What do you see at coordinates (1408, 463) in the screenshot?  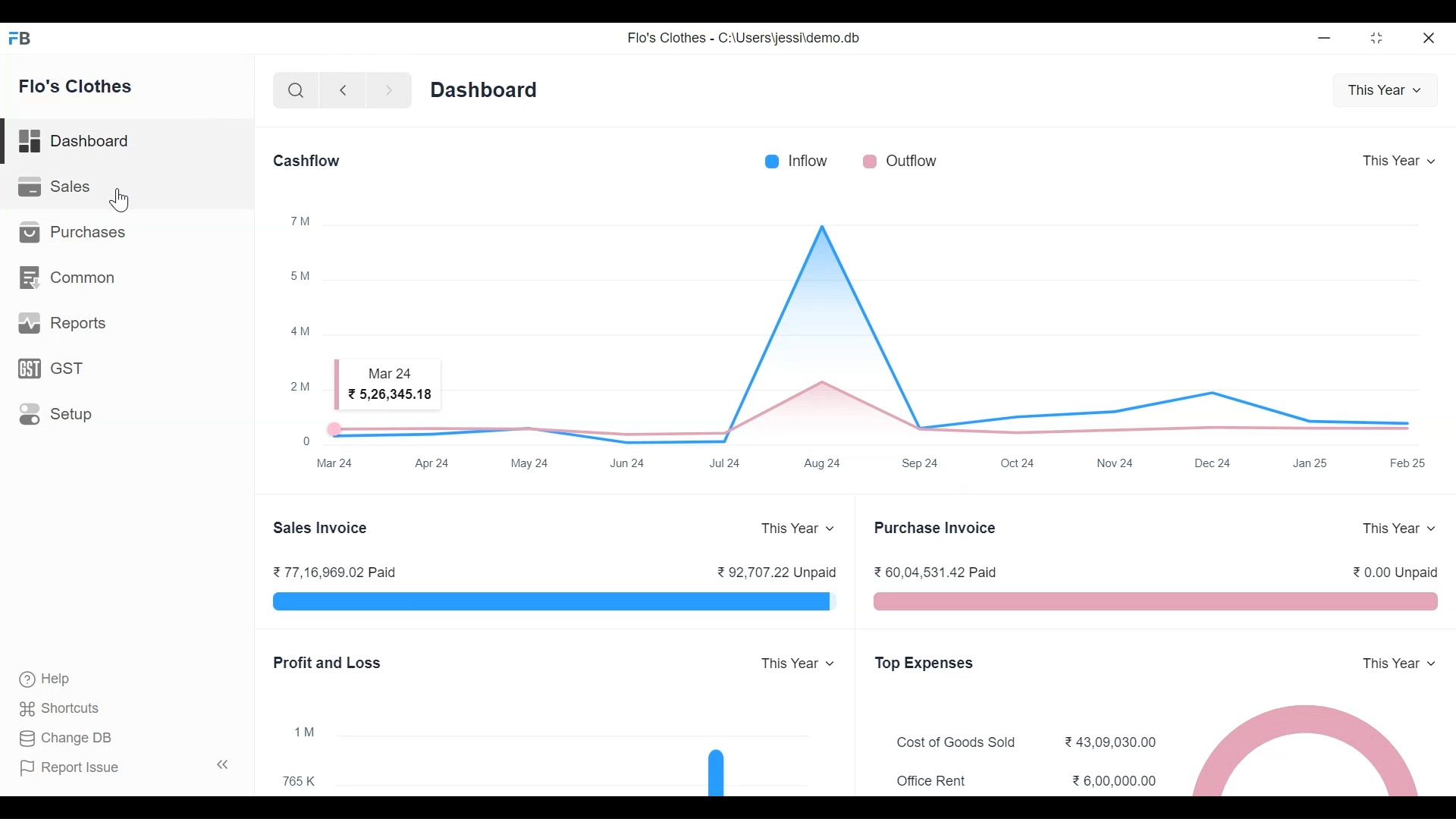 I see `Feb25` at bounding box center [1408, 463].